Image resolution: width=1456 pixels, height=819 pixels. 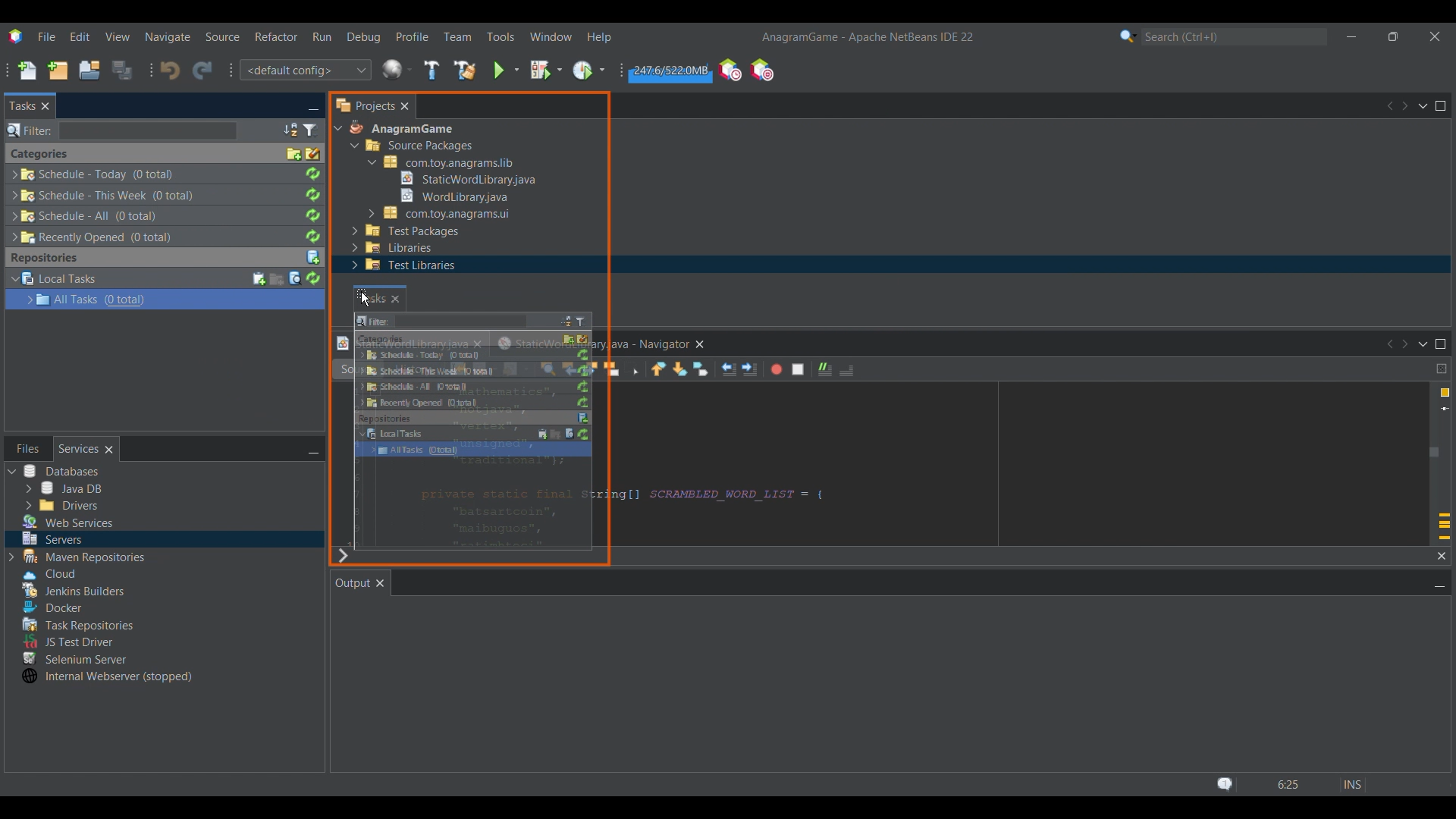 What do you see at coordinates (1441, 344) in the screenshot?
I see `Maximize window` at bounding box center [1441, 344].